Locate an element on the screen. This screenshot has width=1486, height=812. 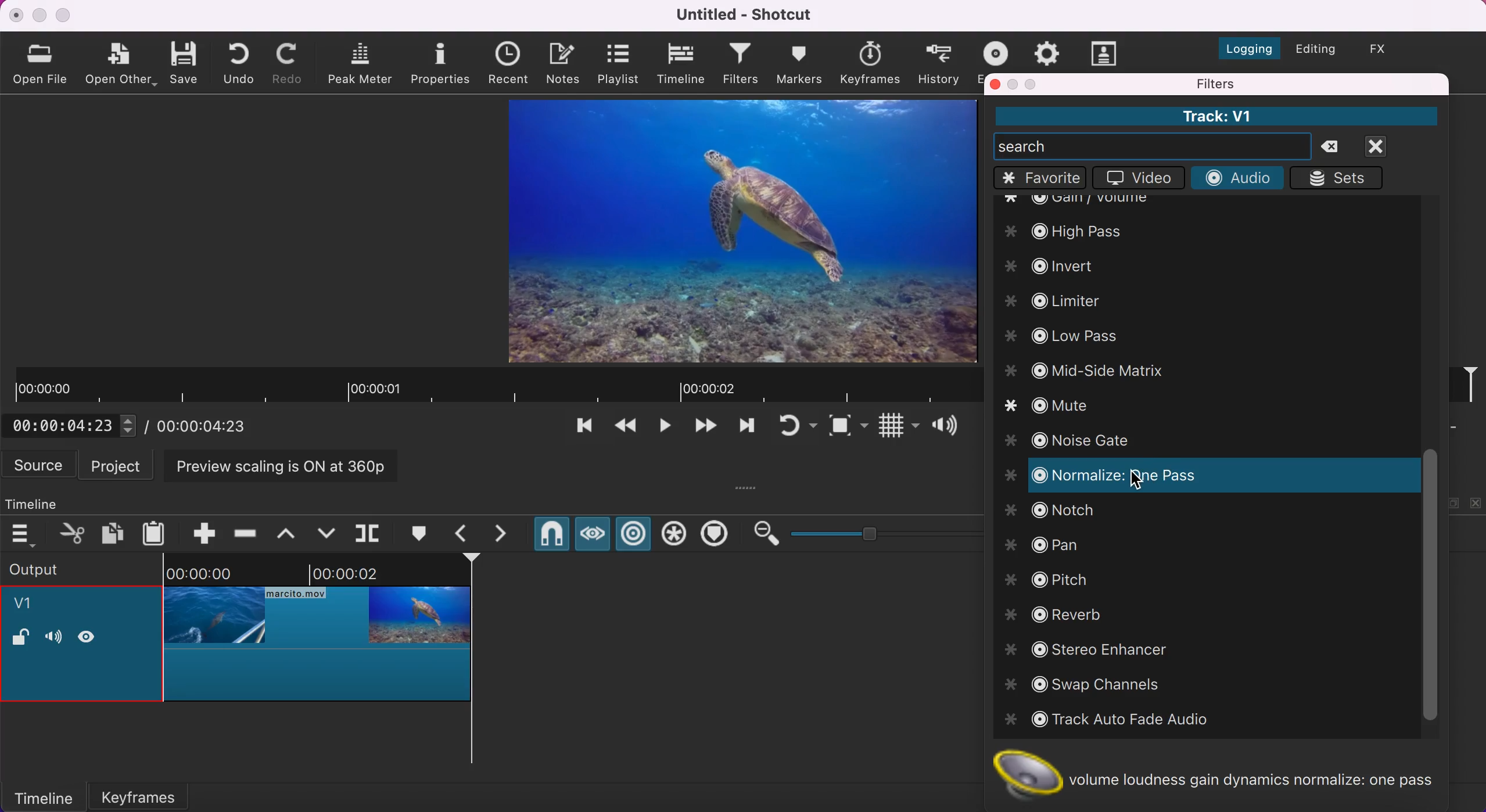
skip to the next point is located at coordinates (704, 429).